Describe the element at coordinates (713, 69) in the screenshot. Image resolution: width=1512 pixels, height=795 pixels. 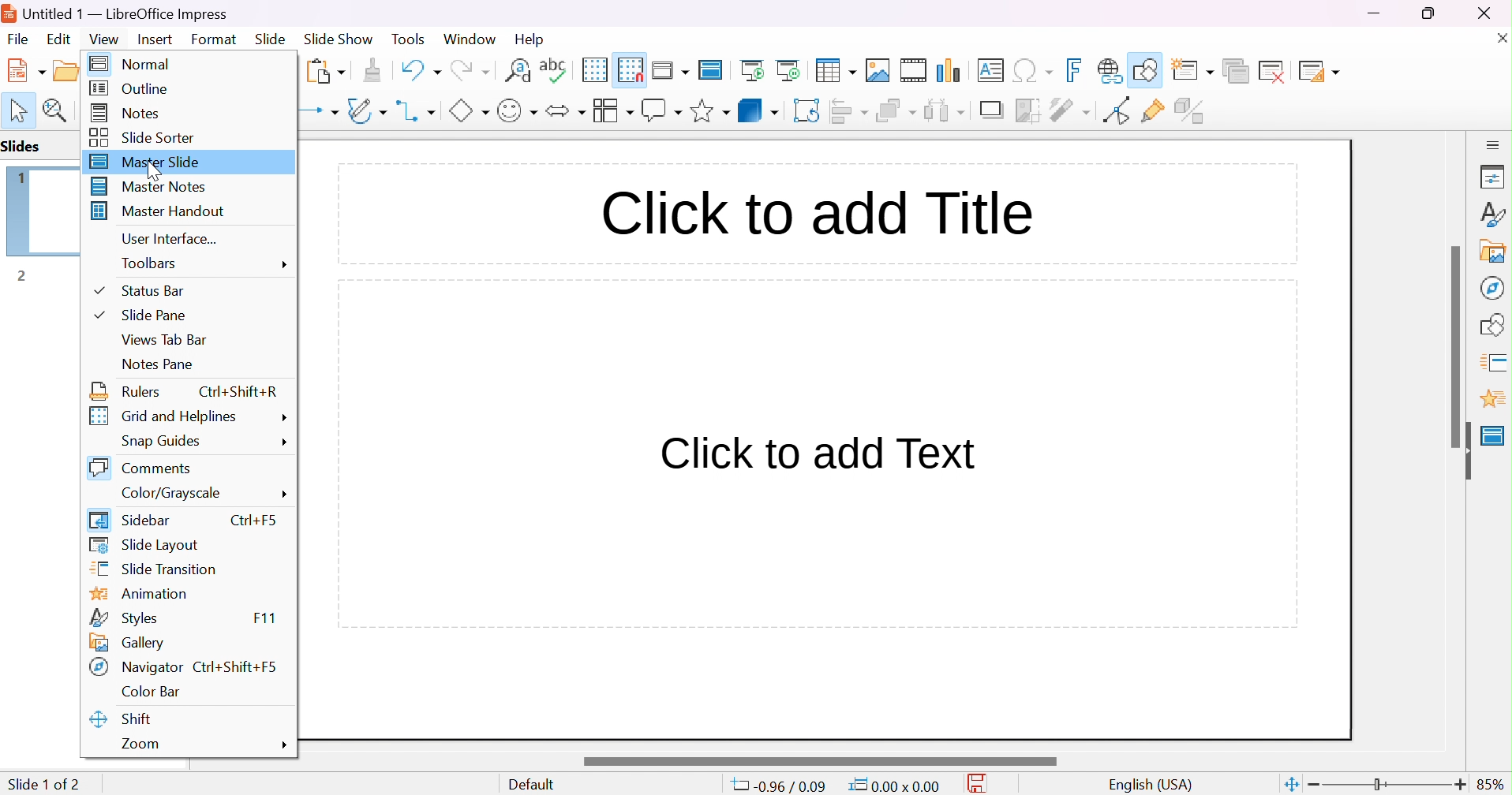
I see `master slide` at that location.